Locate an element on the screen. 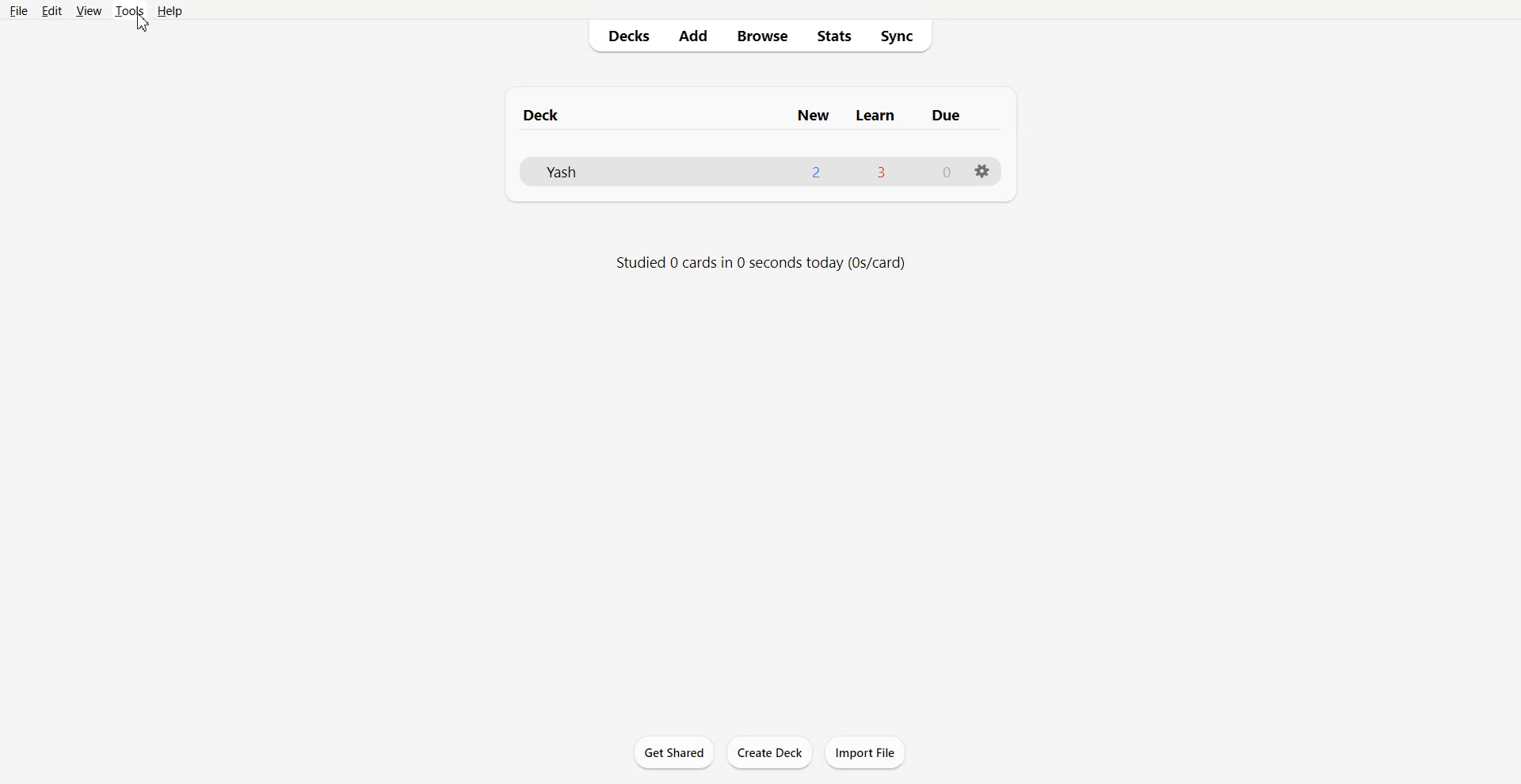  New is located at coordinates (813, 115).